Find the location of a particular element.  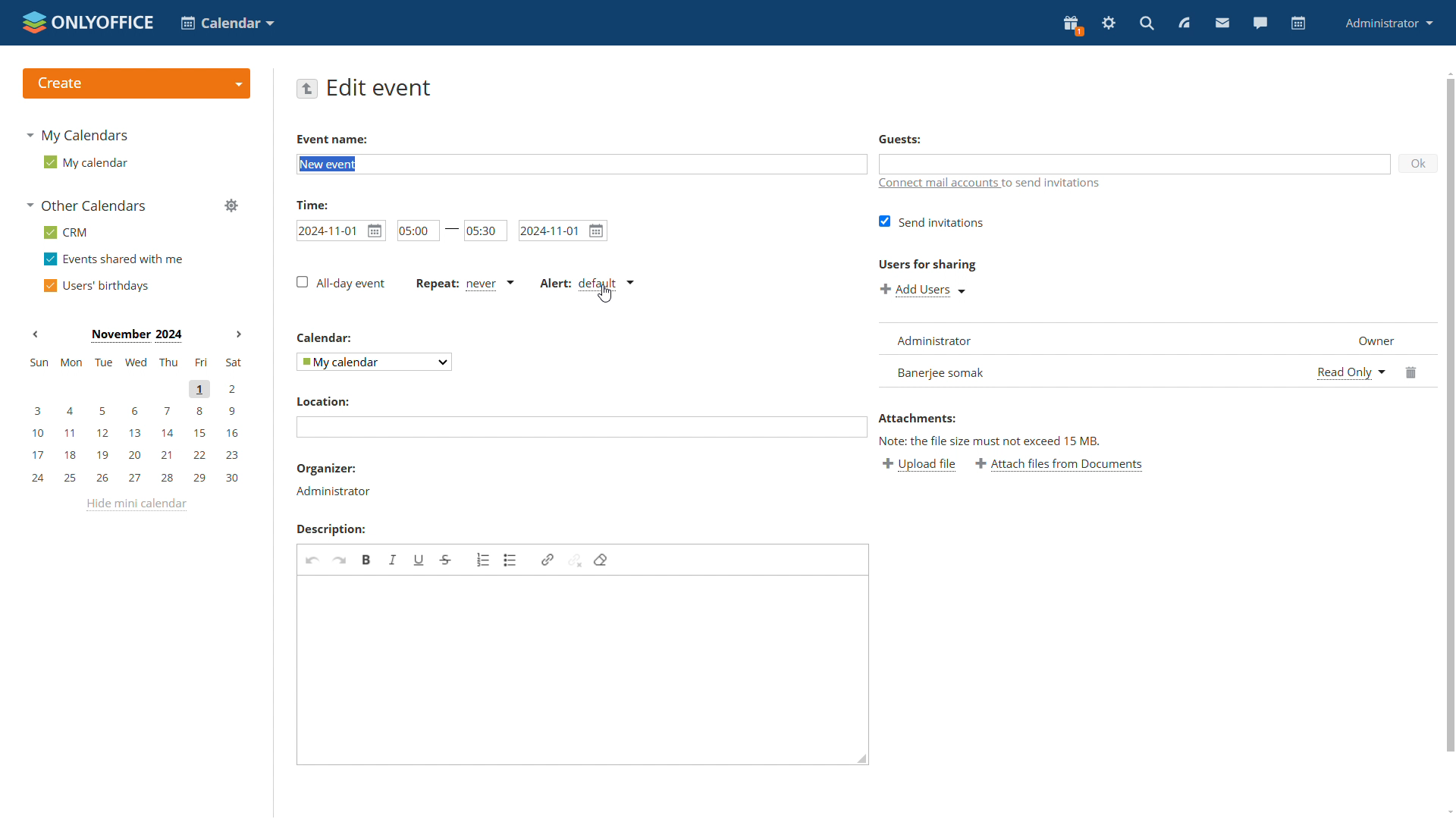

event start time is located at coordinates (340, 229).